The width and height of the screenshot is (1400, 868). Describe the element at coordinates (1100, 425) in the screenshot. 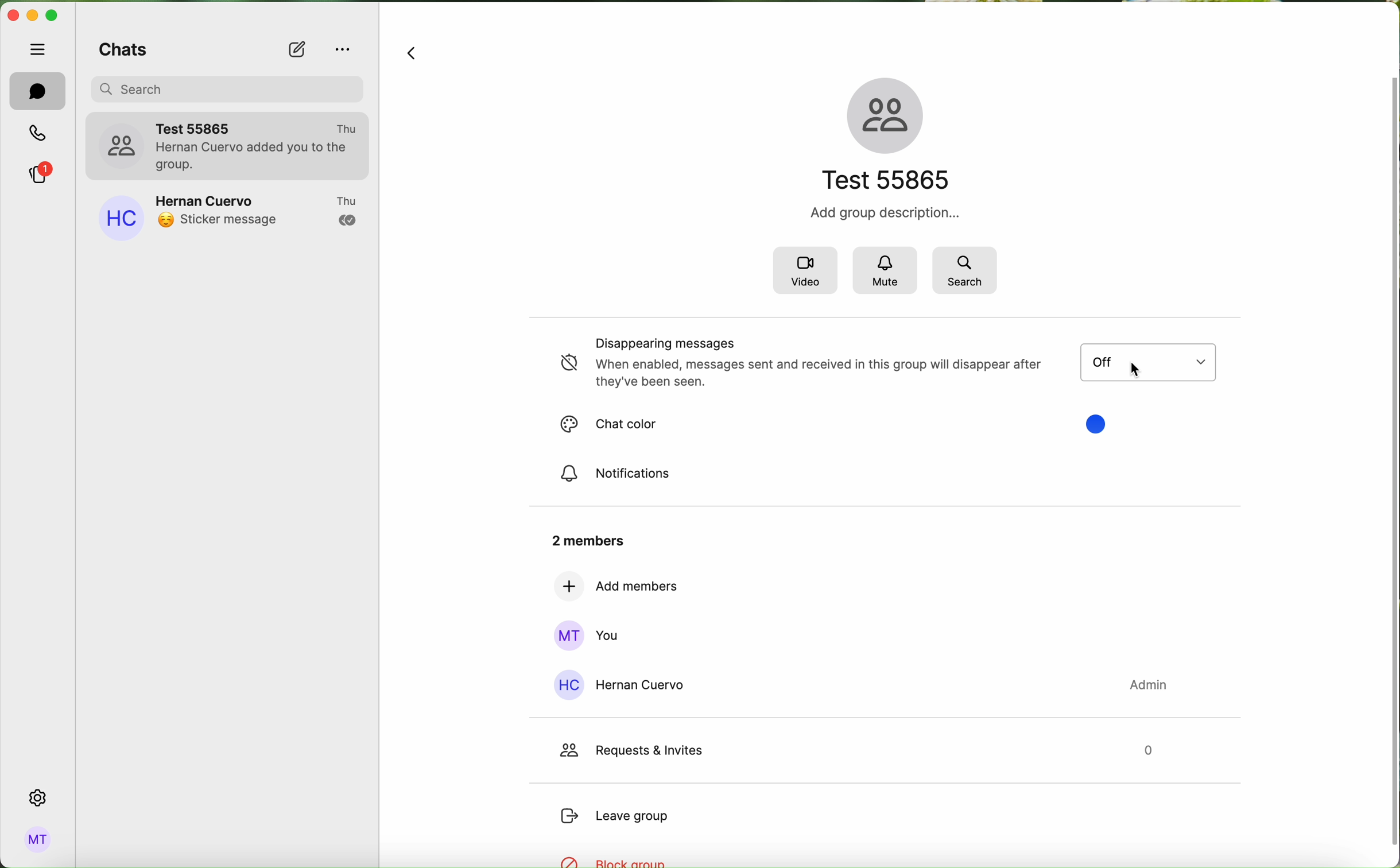

I see `chat color option` at that location.